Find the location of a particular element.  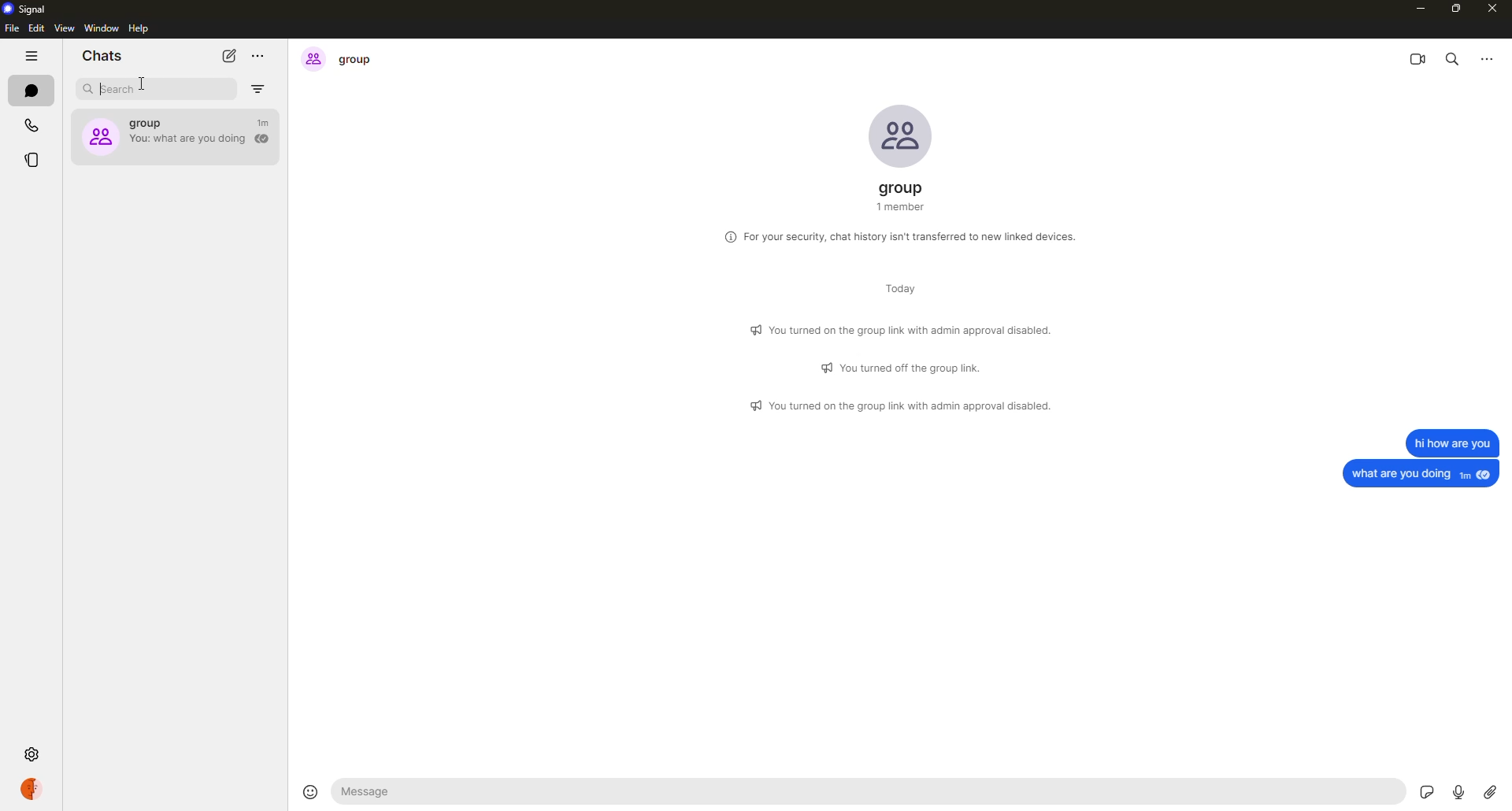

info is located at coordinates (903, 235).